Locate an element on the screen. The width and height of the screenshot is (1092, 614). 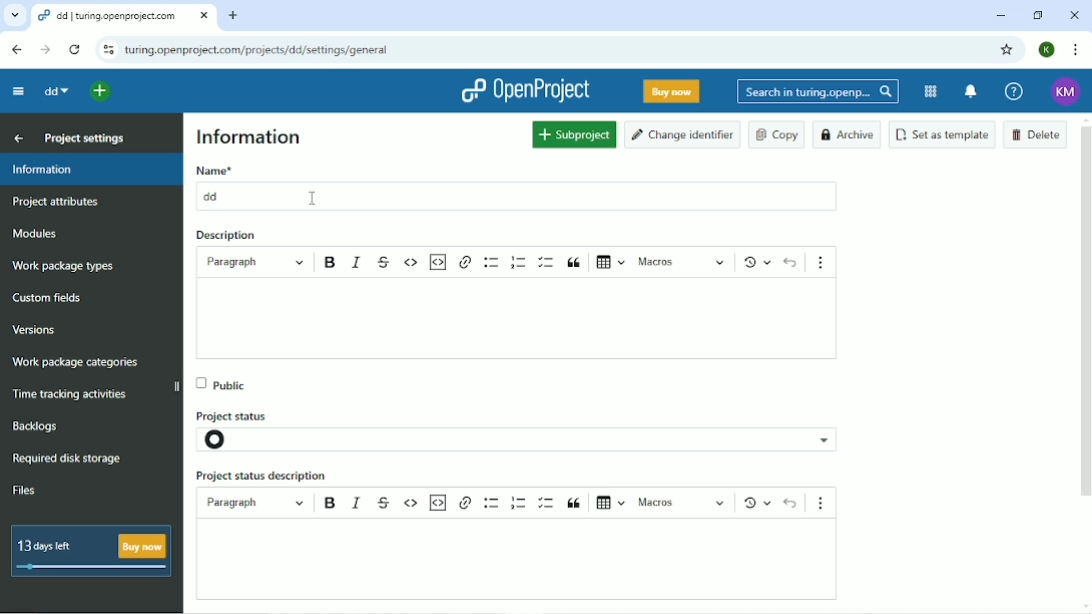
Project settings is located at coordinates (83, 137).